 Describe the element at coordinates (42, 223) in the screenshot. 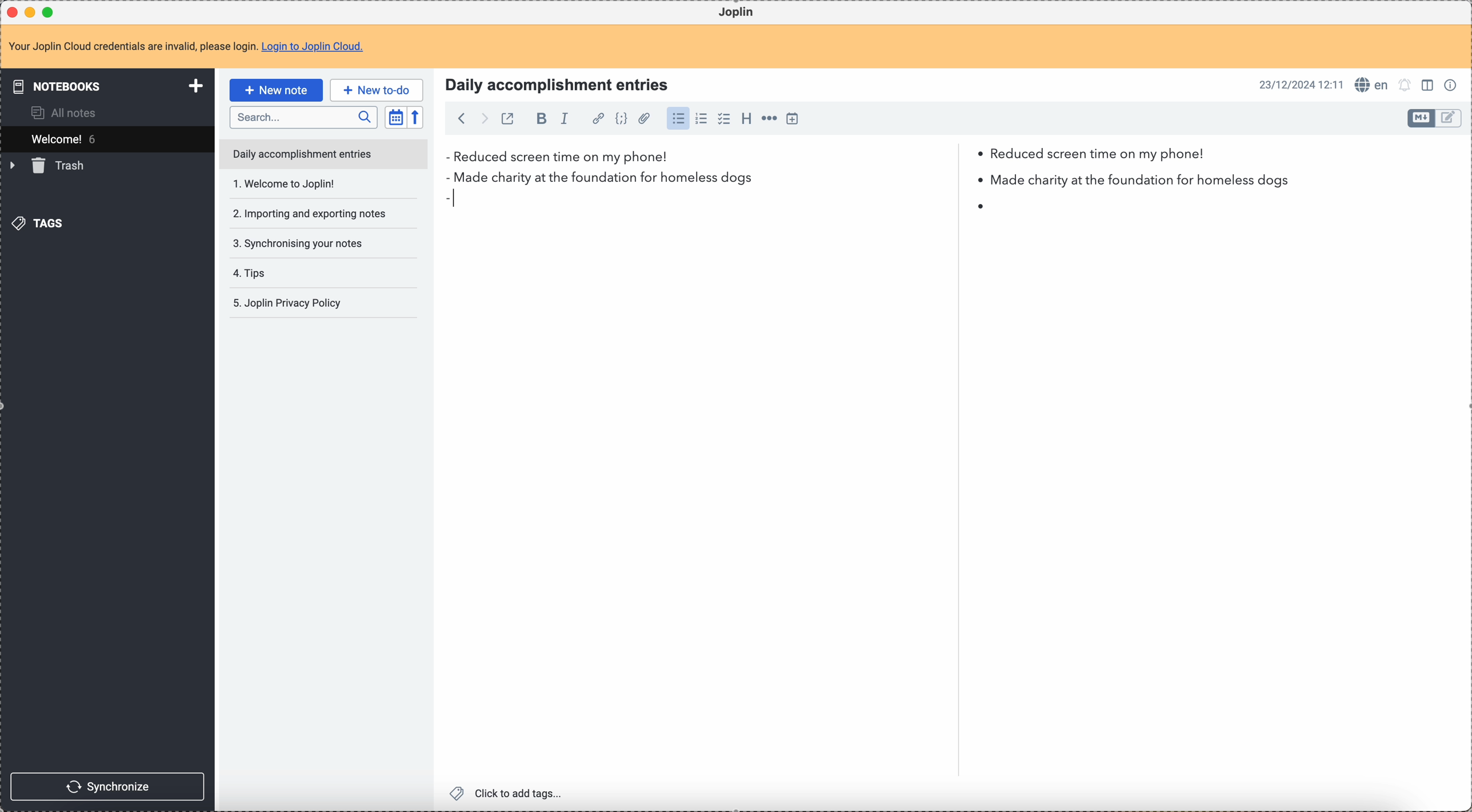

I see `tags` at that location.